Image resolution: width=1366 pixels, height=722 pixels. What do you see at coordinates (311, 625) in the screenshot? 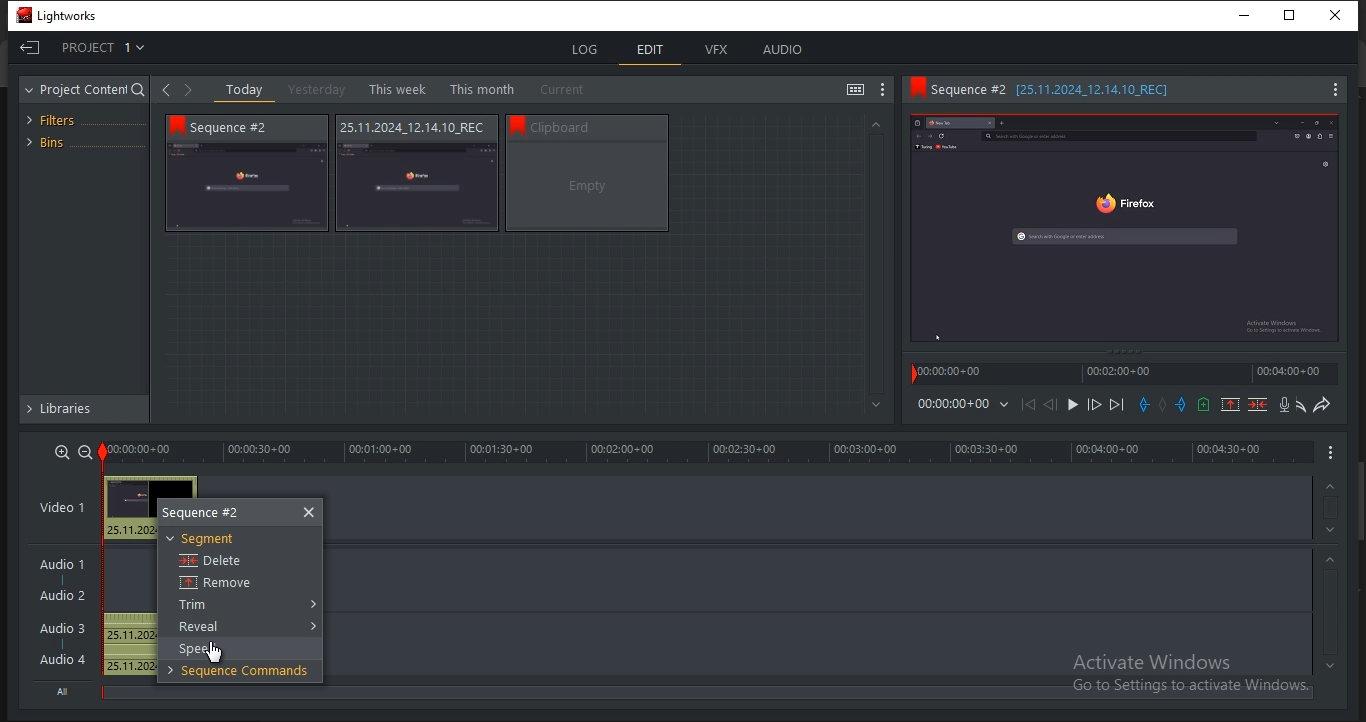
I see `Drop down arrow` at bounding box center [311, 625].